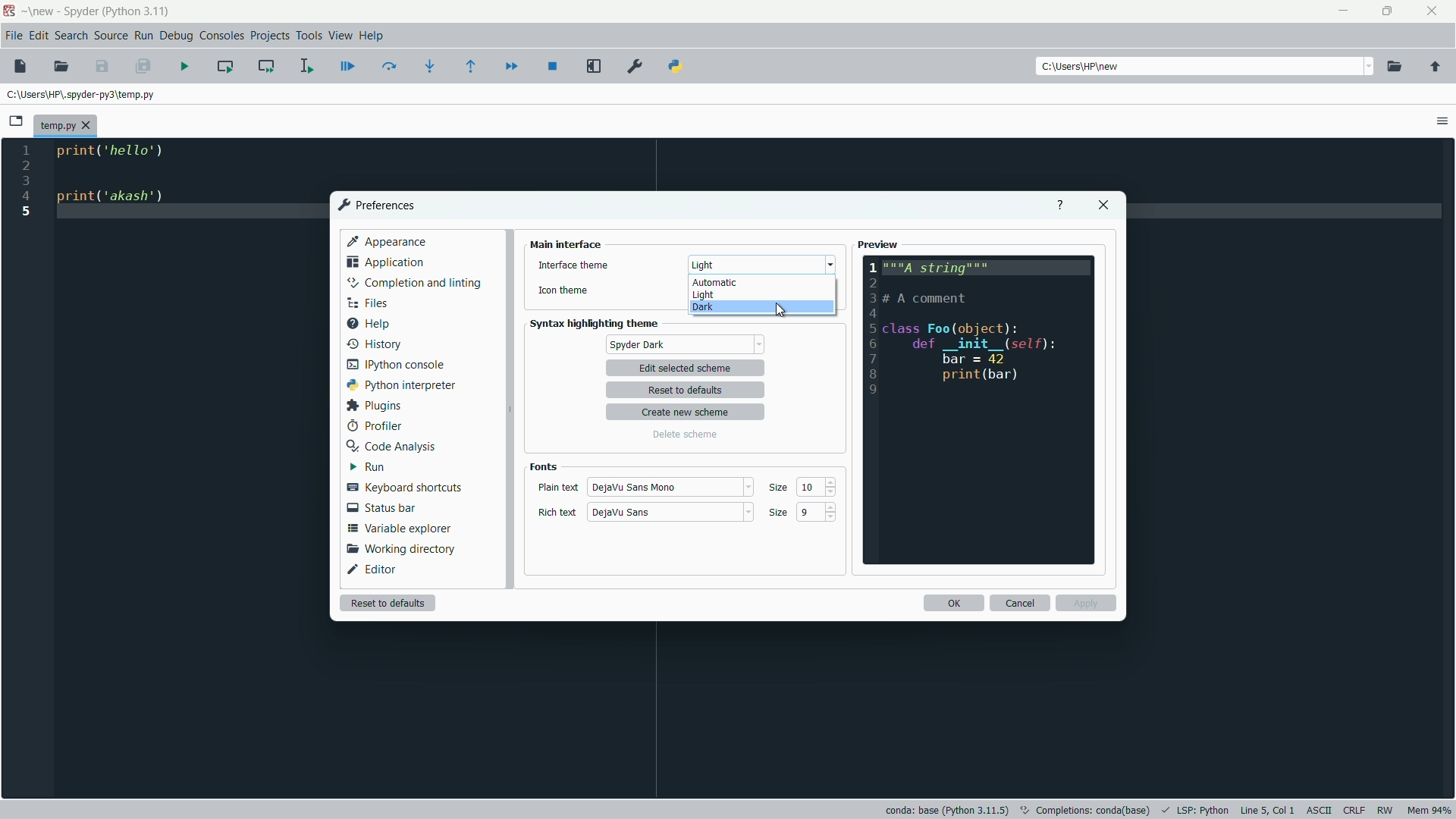 The image size is (1456, 819). What do you see at coordinates (225, 65) in the screenshot?
I see `run current cell` at bounding box center [225, 65].